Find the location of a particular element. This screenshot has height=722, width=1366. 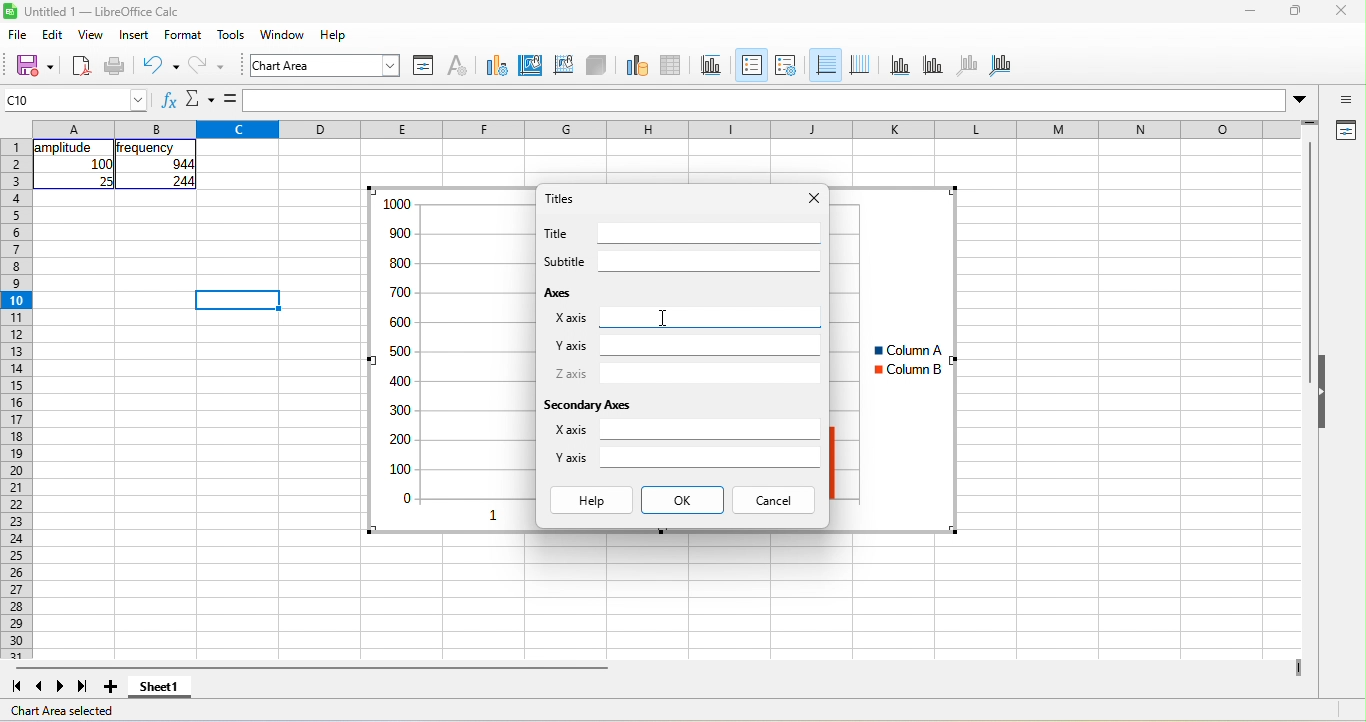

format selection is located at coordinates (424, 66).